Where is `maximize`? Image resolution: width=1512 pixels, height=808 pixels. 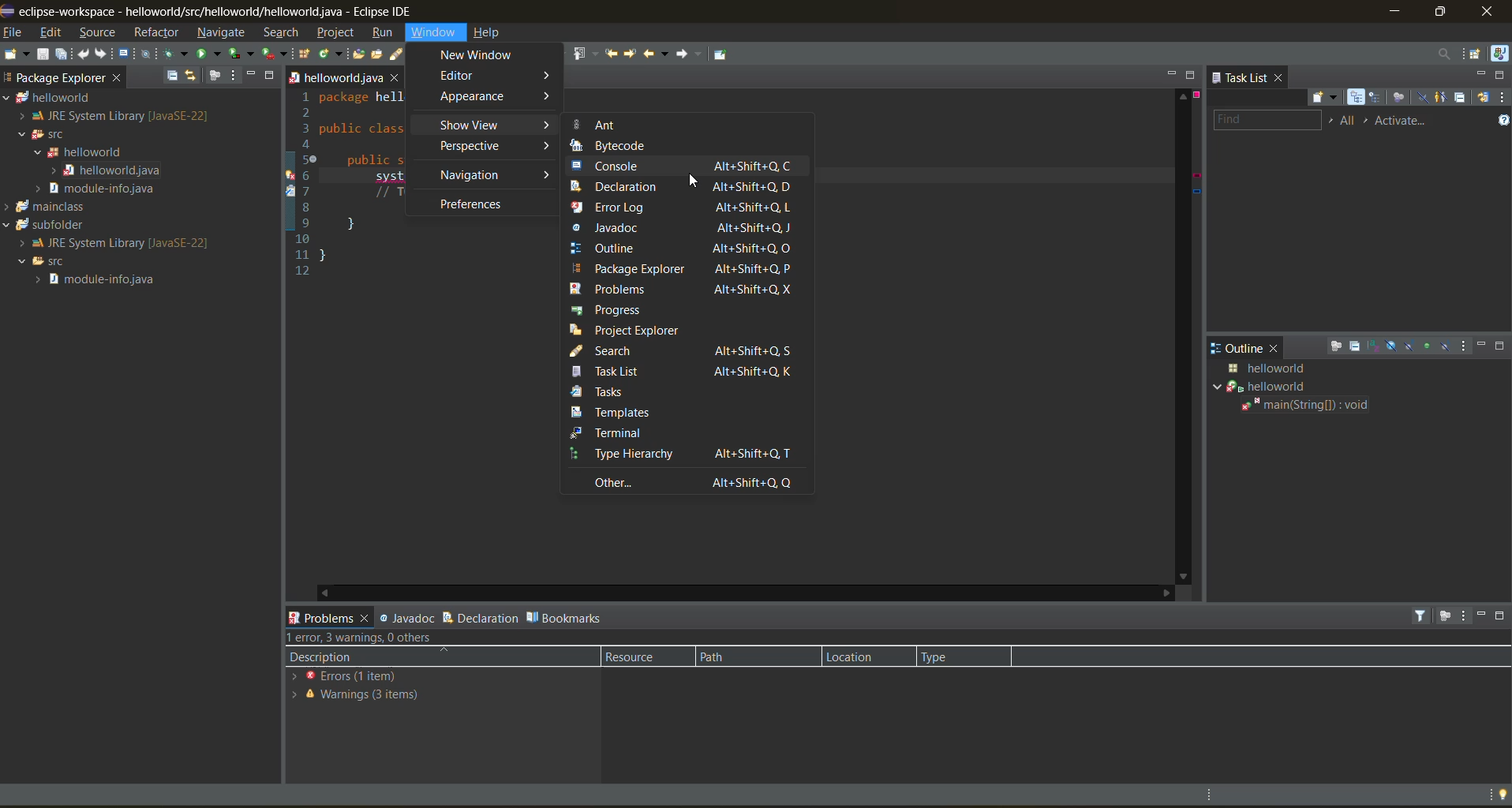
maximize is located at coordinates (1503, 346).